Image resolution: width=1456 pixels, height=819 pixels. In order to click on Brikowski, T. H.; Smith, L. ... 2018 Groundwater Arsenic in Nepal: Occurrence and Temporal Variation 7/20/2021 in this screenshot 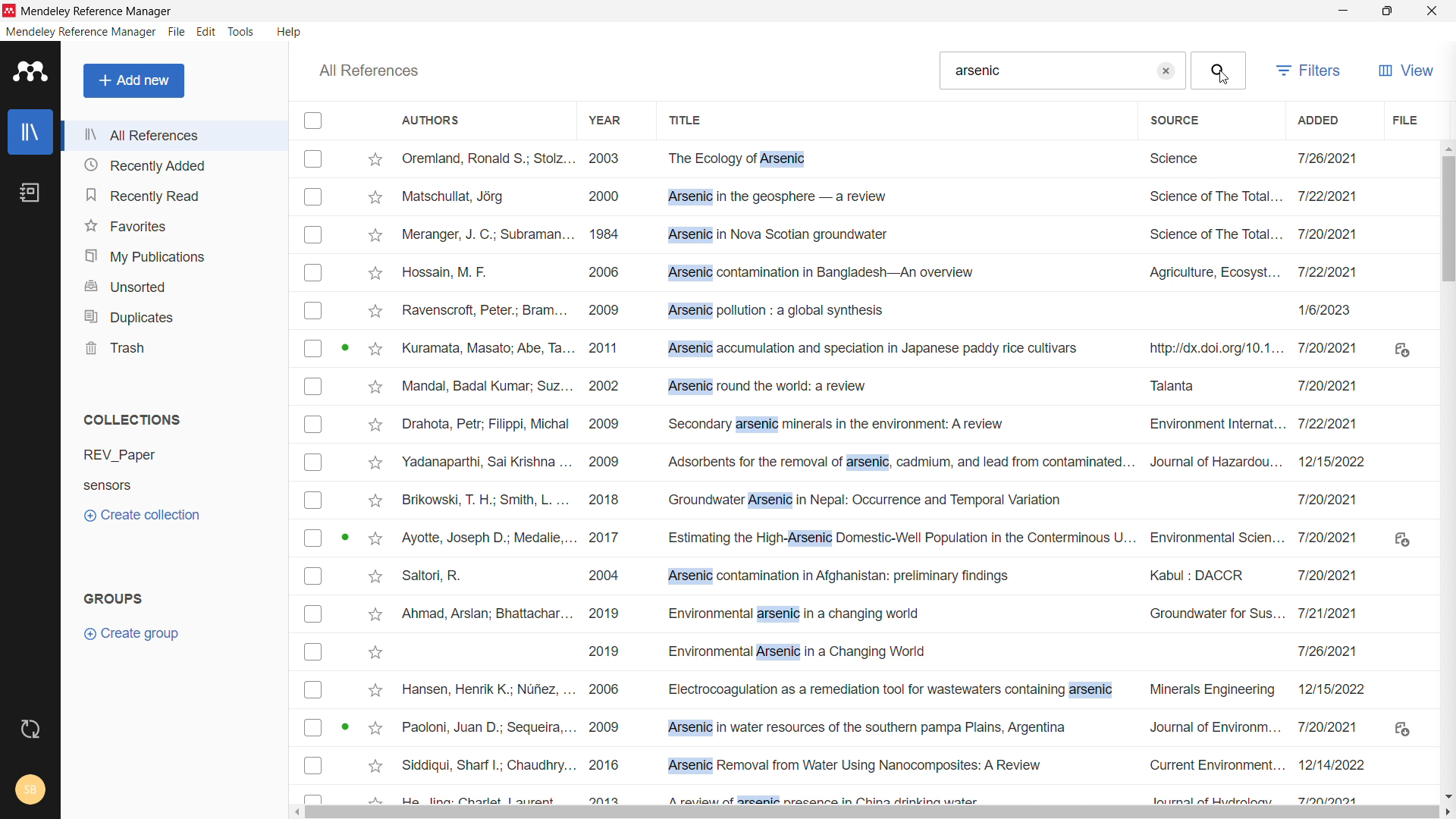, I will do `click(877, 500)`.